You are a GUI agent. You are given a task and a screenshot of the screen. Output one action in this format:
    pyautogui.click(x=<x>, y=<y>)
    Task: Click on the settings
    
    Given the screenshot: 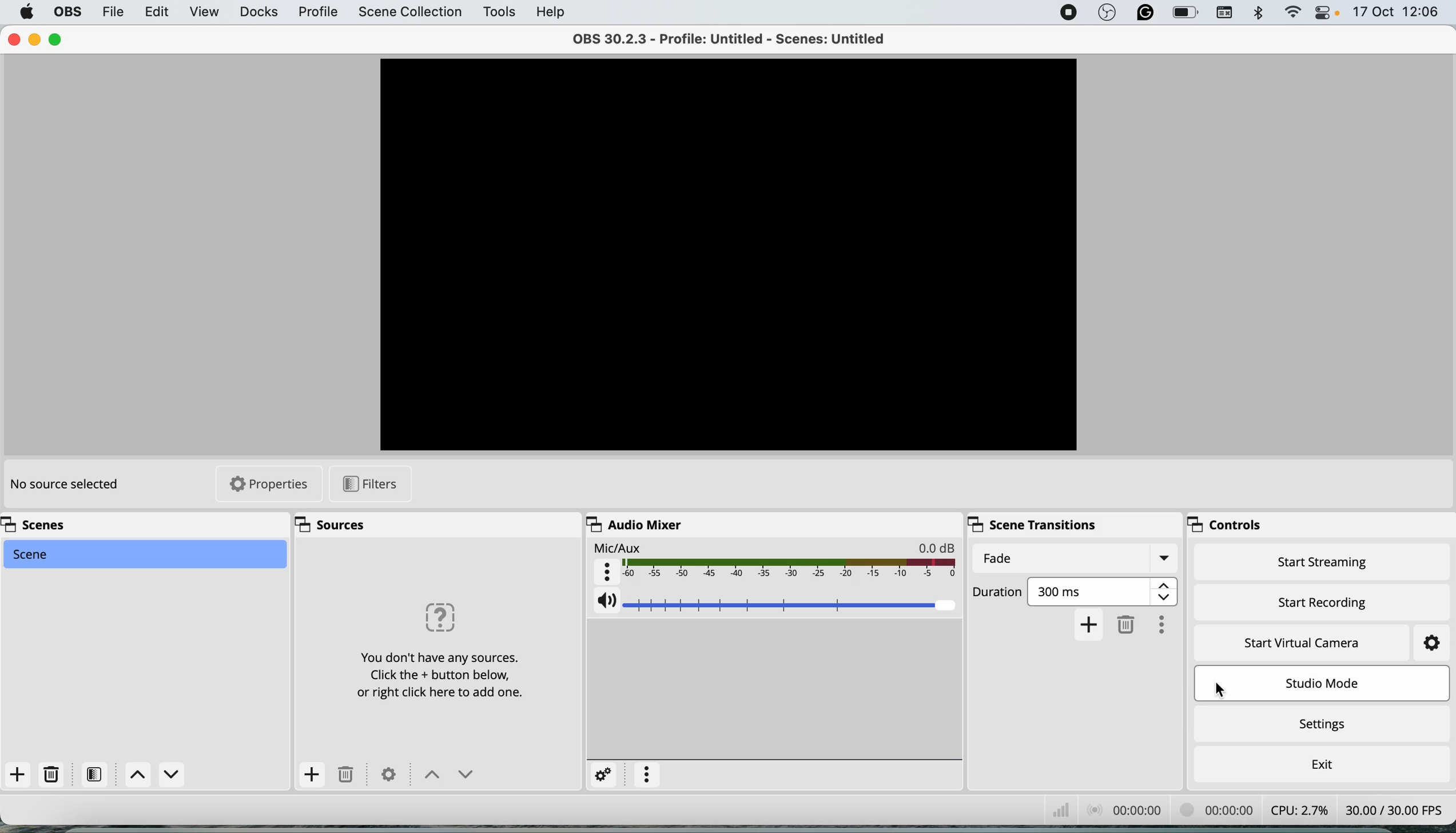 What is the action you would take?
    pyautogui.click(x=391, y=775)
    